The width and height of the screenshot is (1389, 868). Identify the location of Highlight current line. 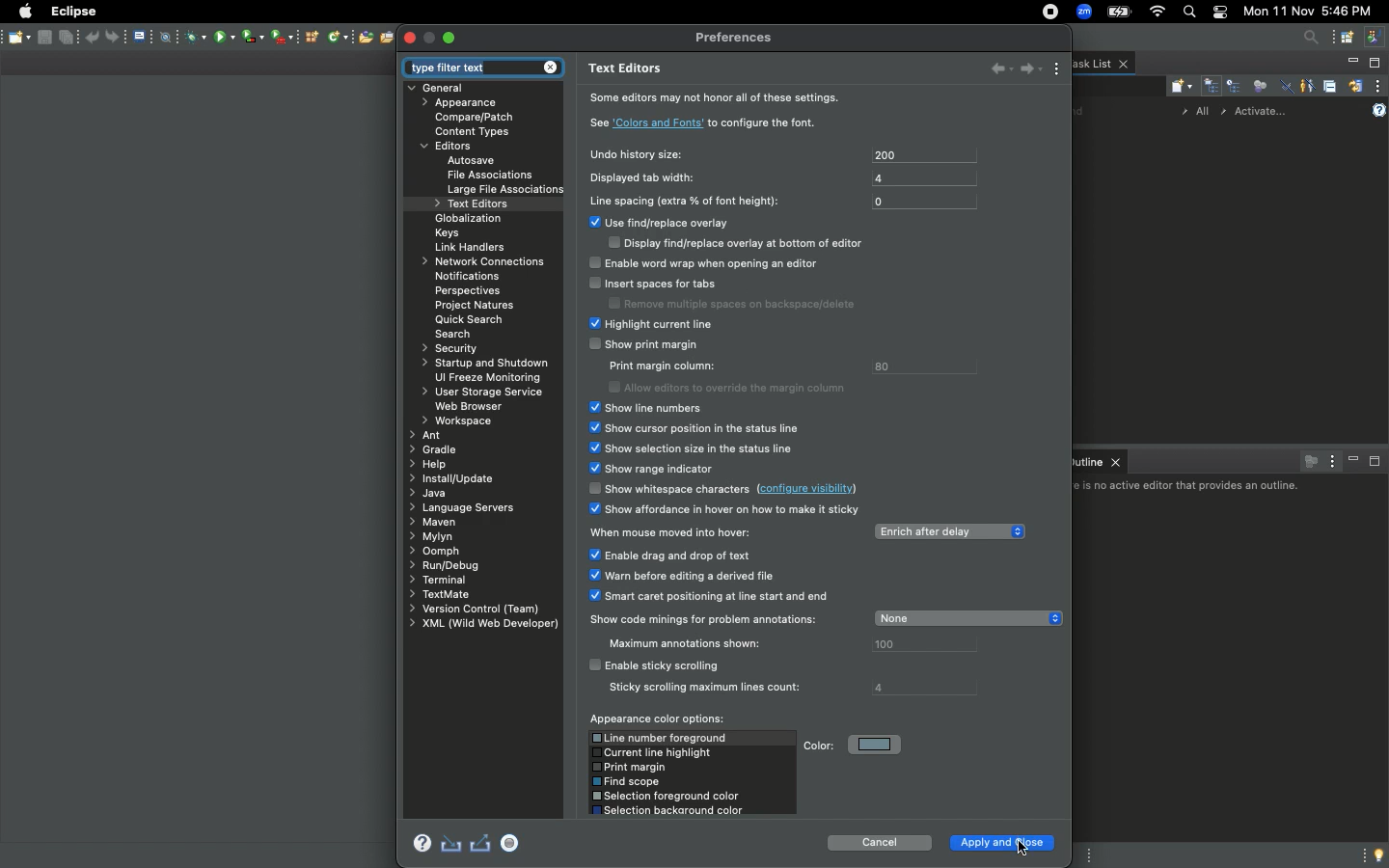
(680, 324).